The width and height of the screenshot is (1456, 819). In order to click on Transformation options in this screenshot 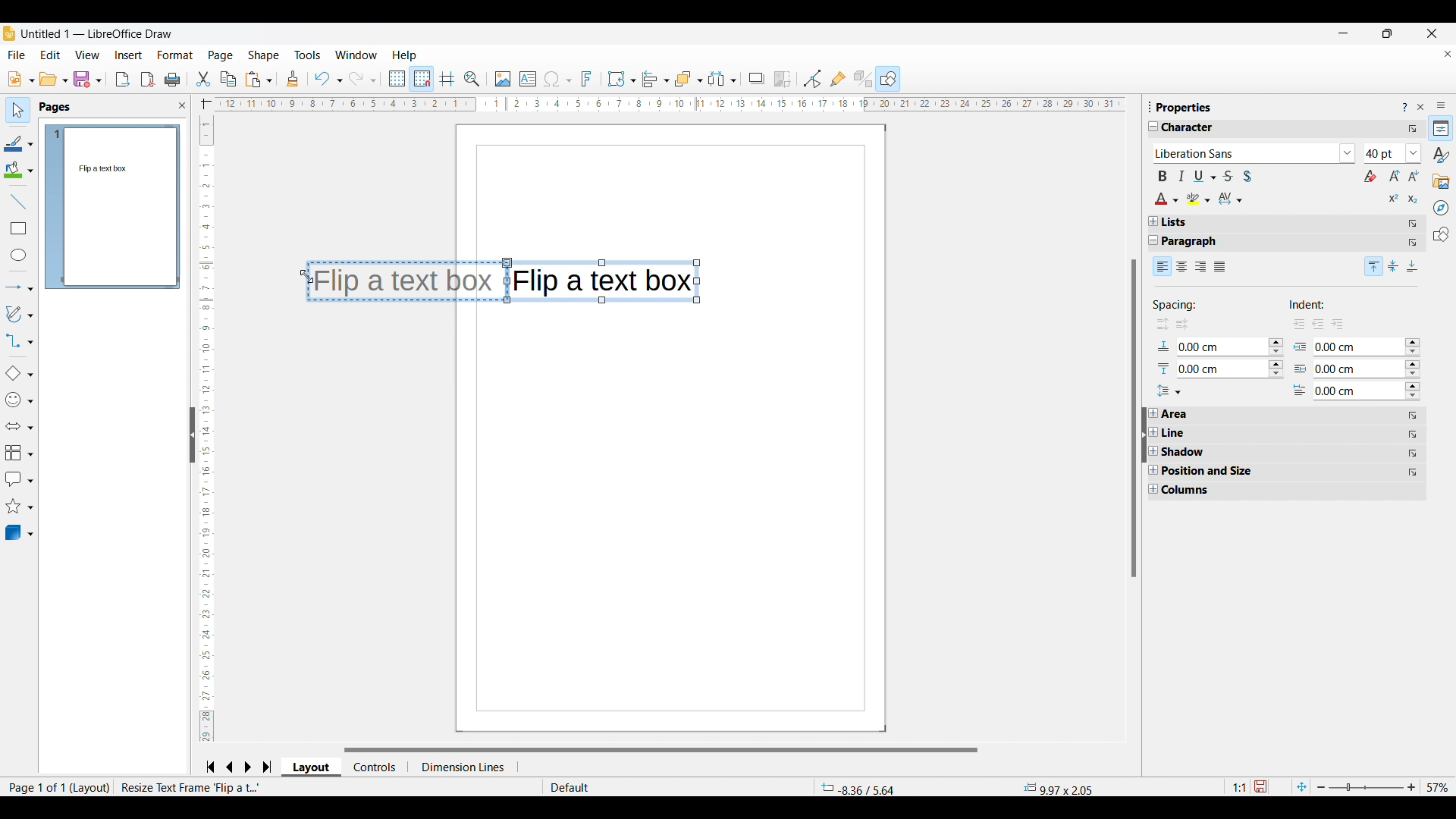, I will do `click(622, 79)`.